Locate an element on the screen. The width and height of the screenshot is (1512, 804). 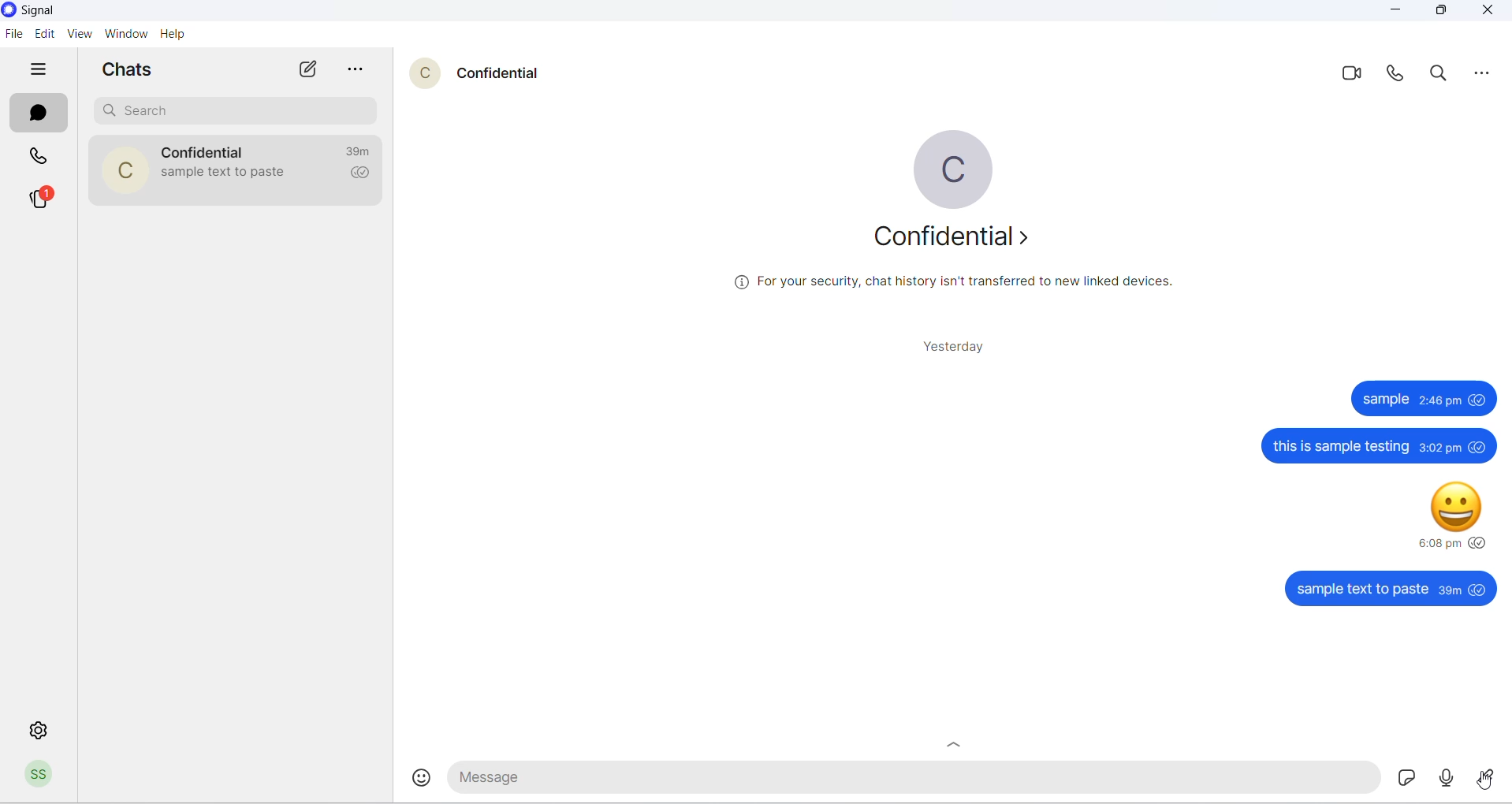
last message is located at coordinates (225, 176).